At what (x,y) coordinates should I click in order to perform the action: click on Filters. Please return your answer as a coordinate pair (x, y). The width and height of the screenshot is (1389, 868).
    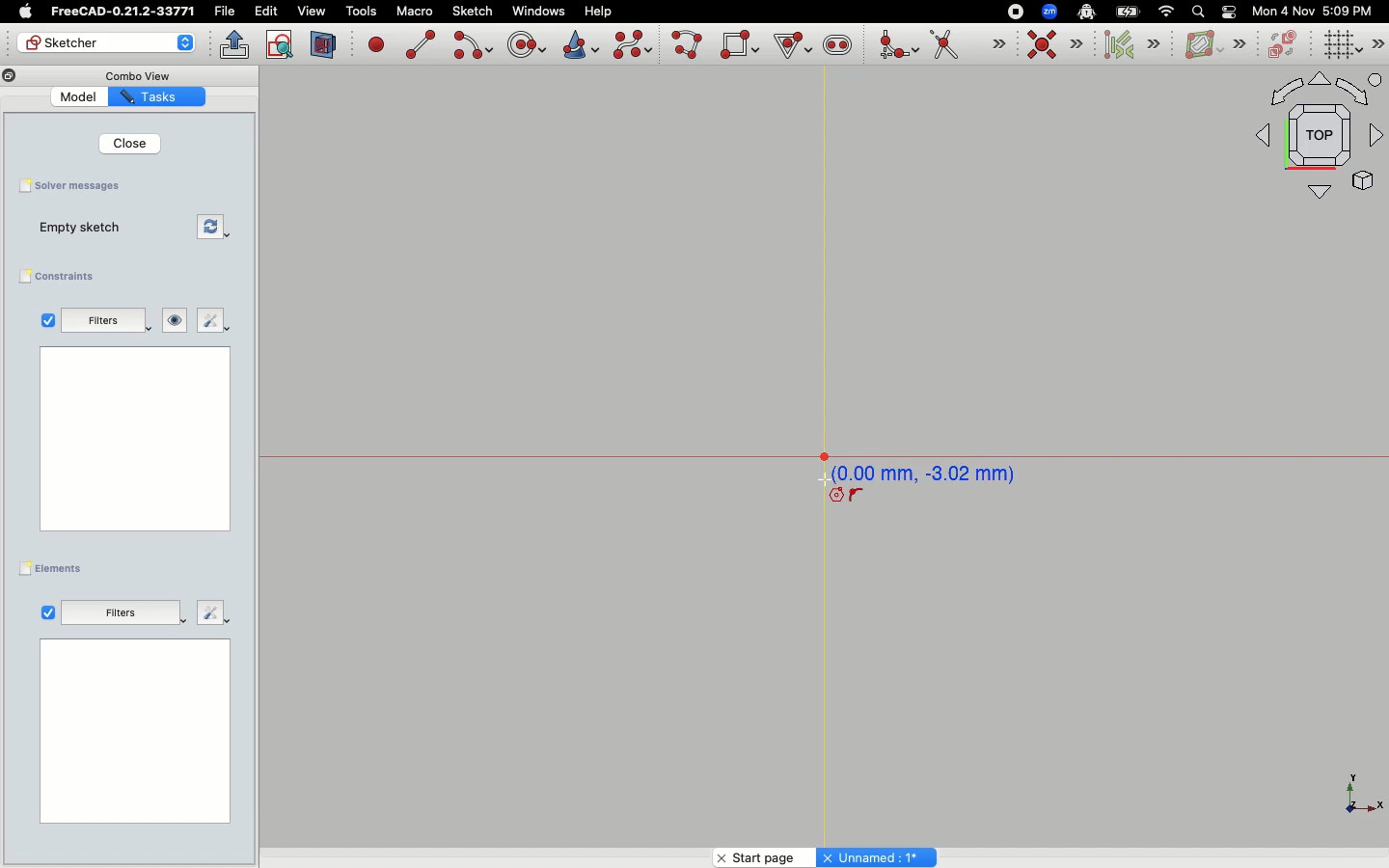
    Looking at the image, I should click on (105, 320).